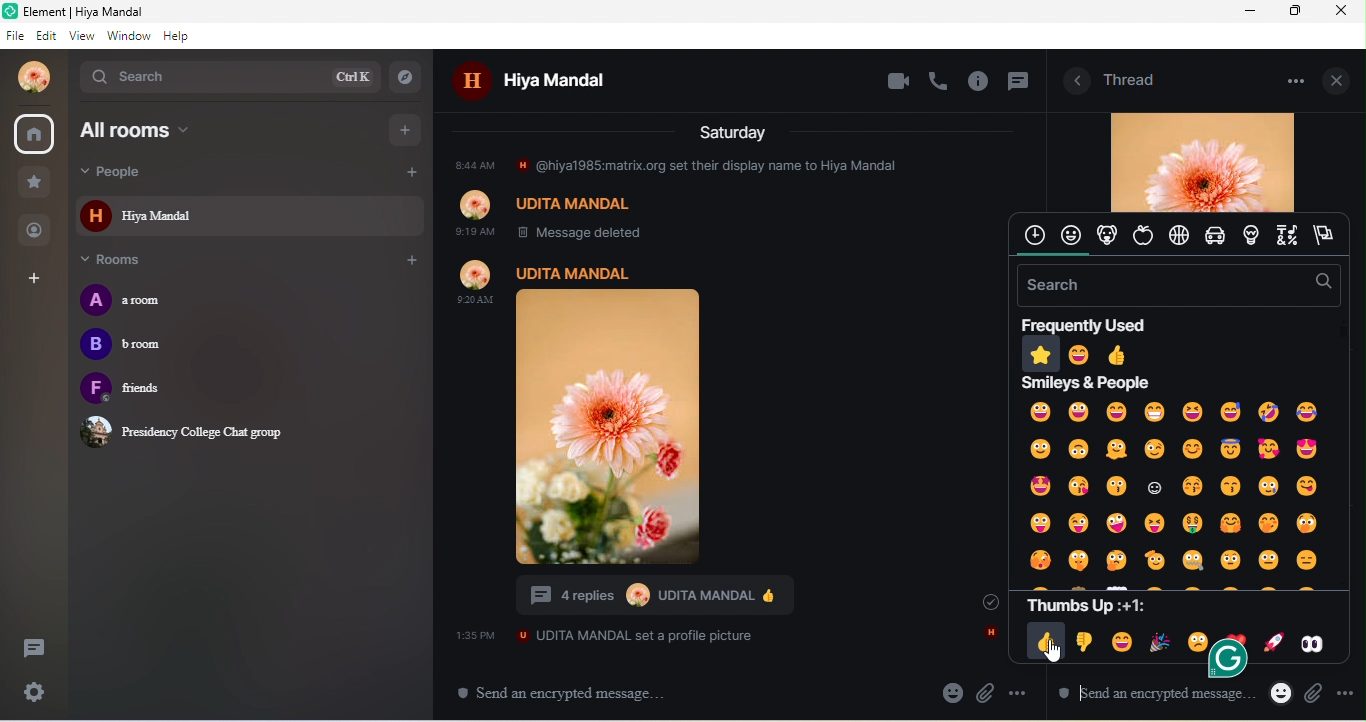 This screenshot has width=1366, height=722. What do you see at coordinates (897, 82) in the screenshot?
I see `video call` at bounding box center [897, 82].